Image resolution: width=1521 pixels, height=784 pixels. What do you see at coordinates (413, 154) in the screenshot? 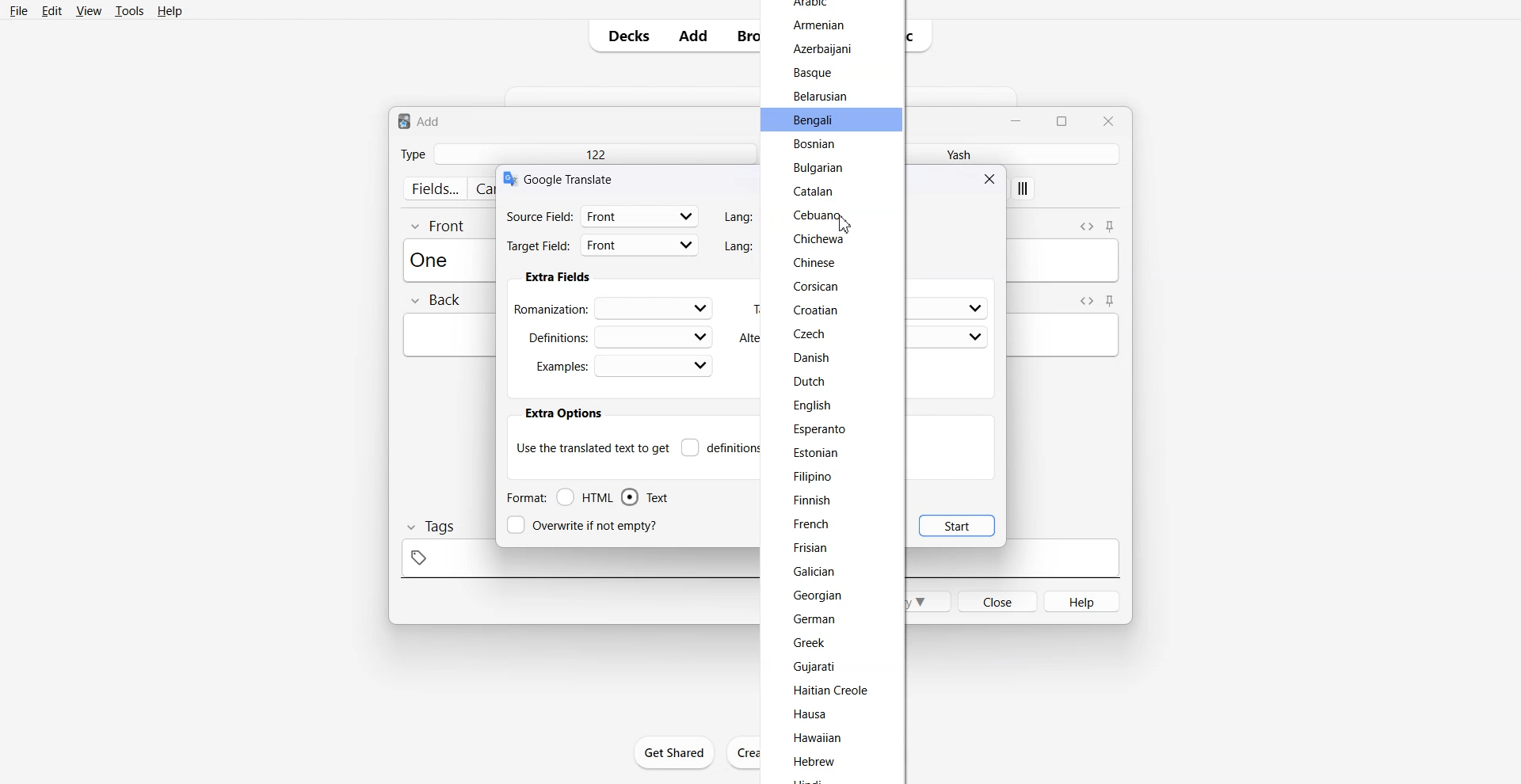
I see `Type` at bounding box center [413, 154].